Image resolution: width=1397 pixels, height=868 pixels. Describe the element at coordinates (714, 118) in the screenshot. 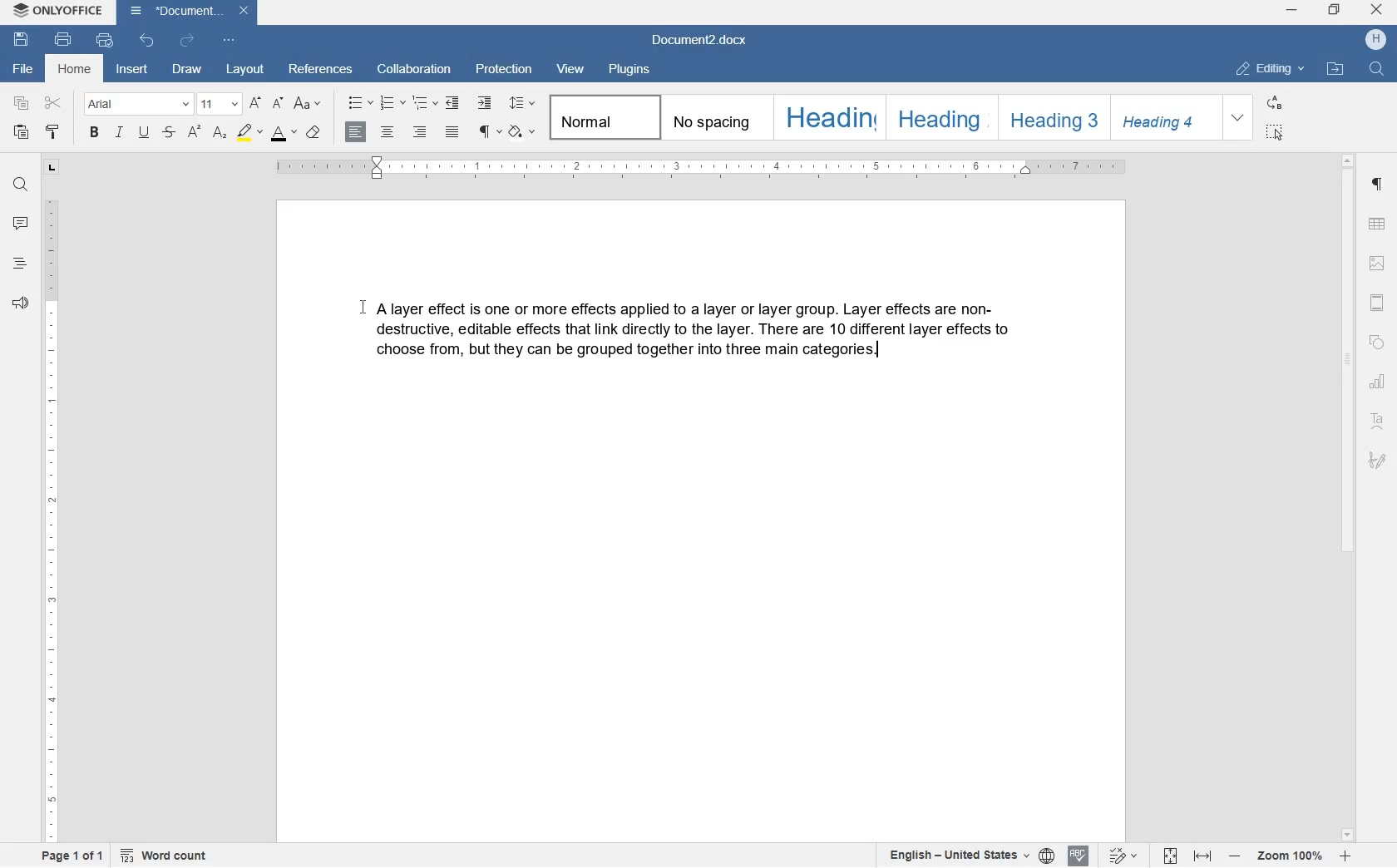

I see `no spacing` at that location.